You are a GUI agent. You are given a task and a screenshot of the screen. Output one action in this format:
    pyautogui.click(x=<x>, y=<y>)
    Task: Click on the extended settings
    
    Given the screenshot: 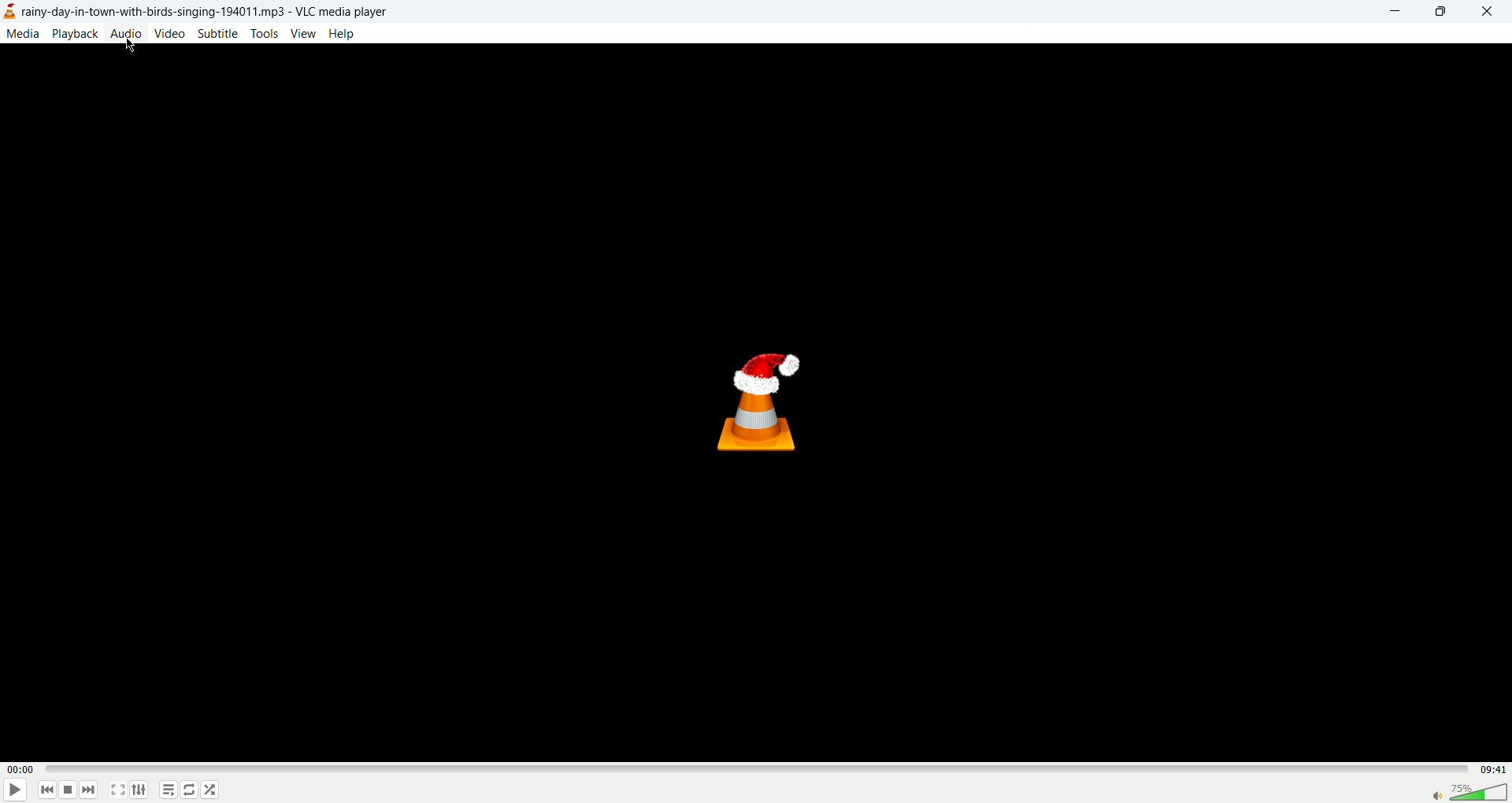 What is the action you would take?
    pyautogui.click(x=142, y=790)
    